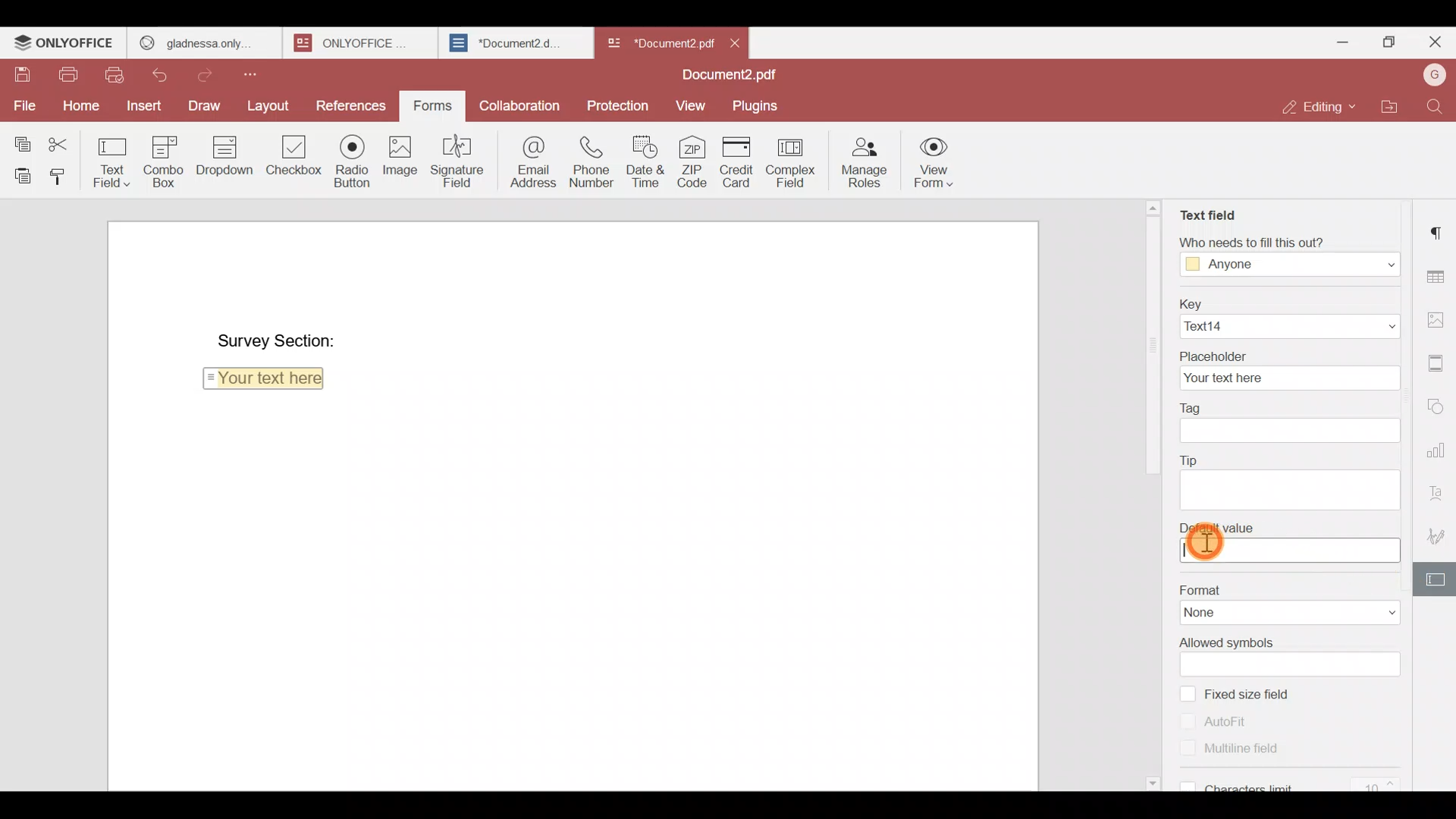 Image resolution: width=1456 pixels, height=819 pixels. Describe the element at coordinates (22, 137) in the screenshot. I see `Copy` at that location.